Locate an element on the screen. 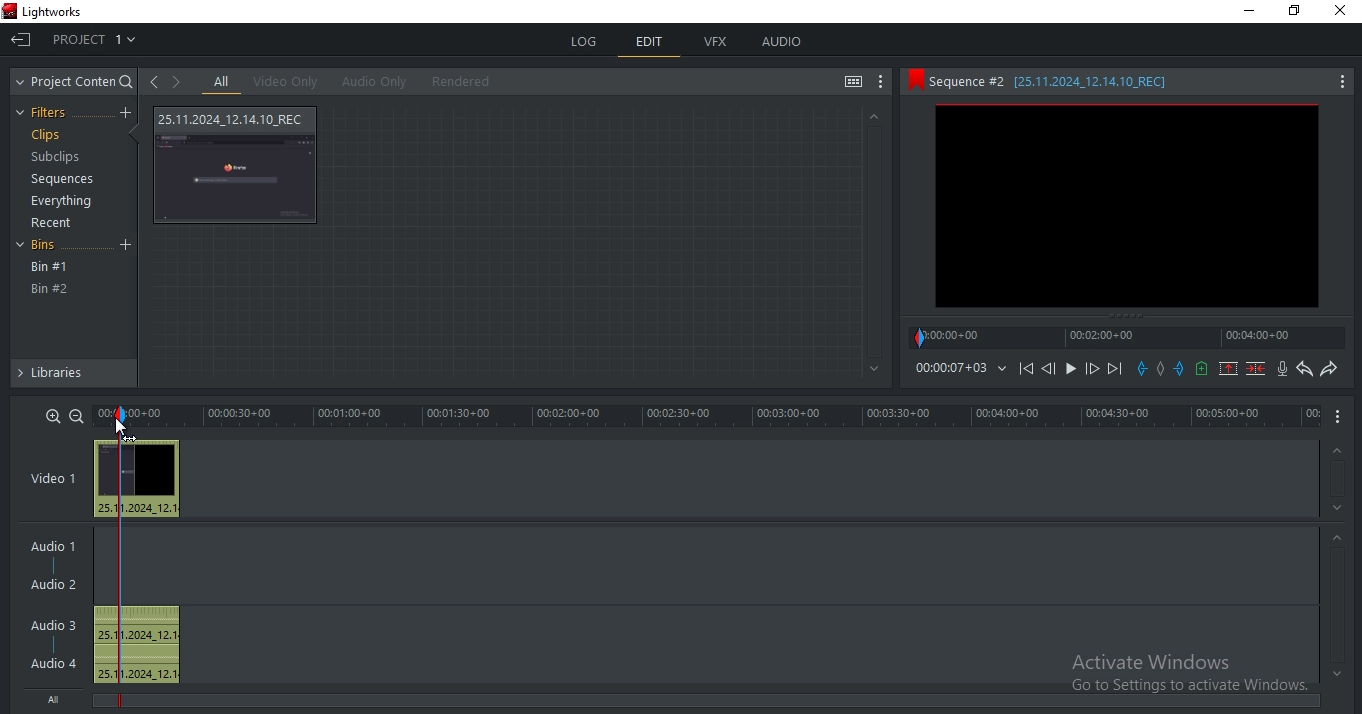 The width and height of the screenshot is (1362, 714). video is located at coordinates (138, 479).